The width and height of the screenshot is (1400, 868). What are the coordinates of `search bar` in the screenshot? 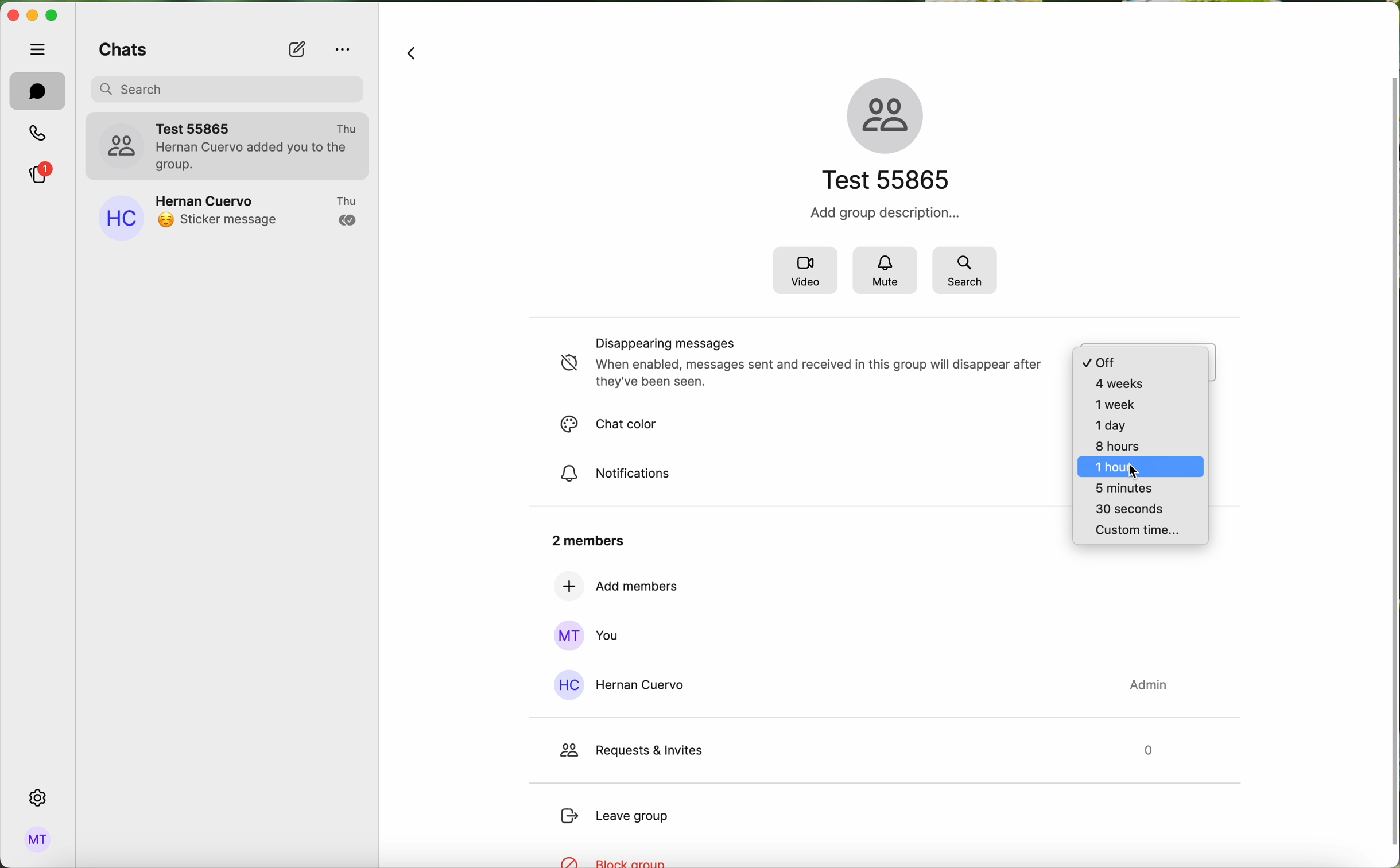 It's located at (231, 87).